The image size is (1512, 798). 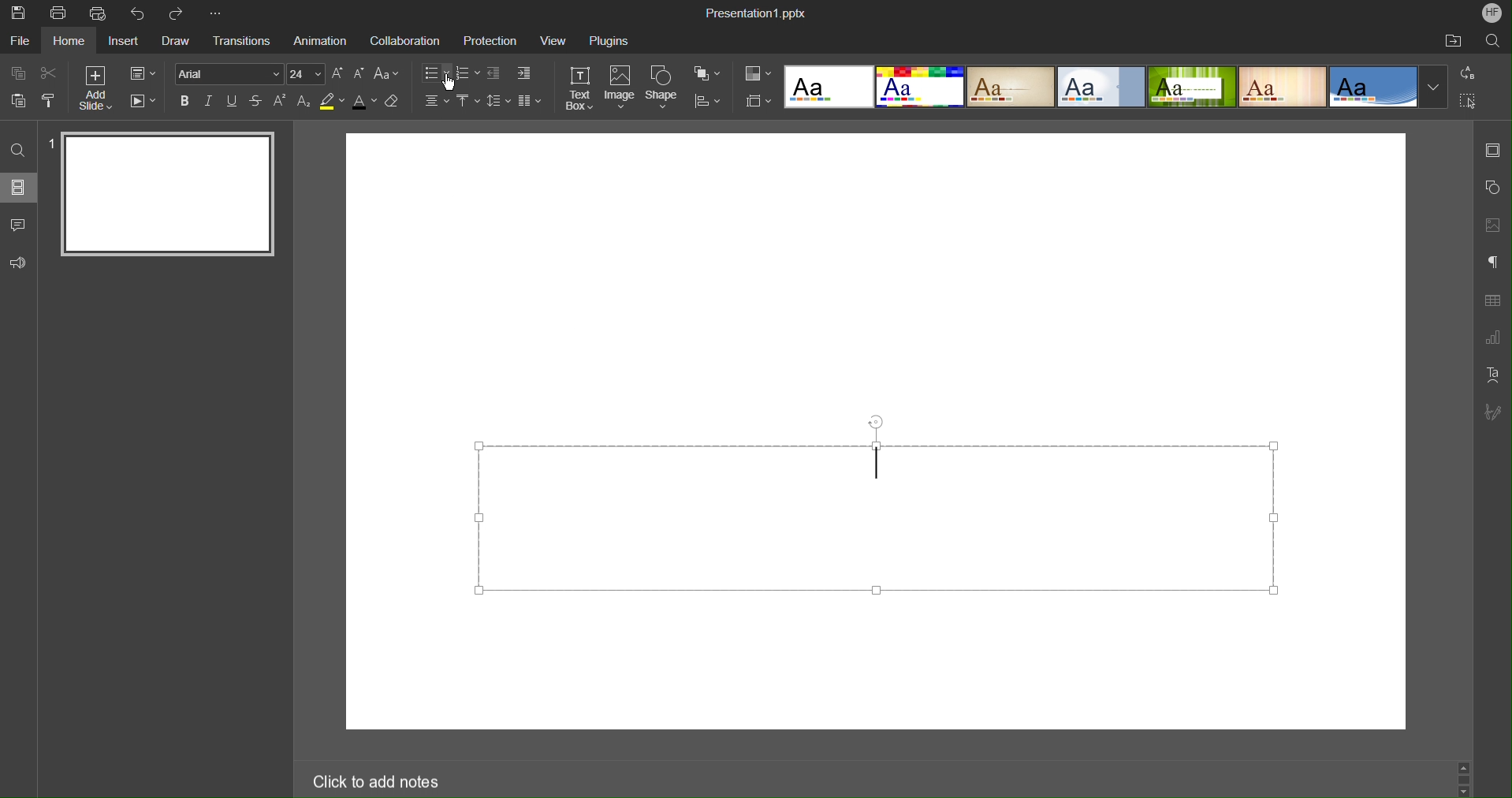 What do you see at coordinates (179, 13) in the screenshot?
I see `Redo` at bounding box center [179, 13].